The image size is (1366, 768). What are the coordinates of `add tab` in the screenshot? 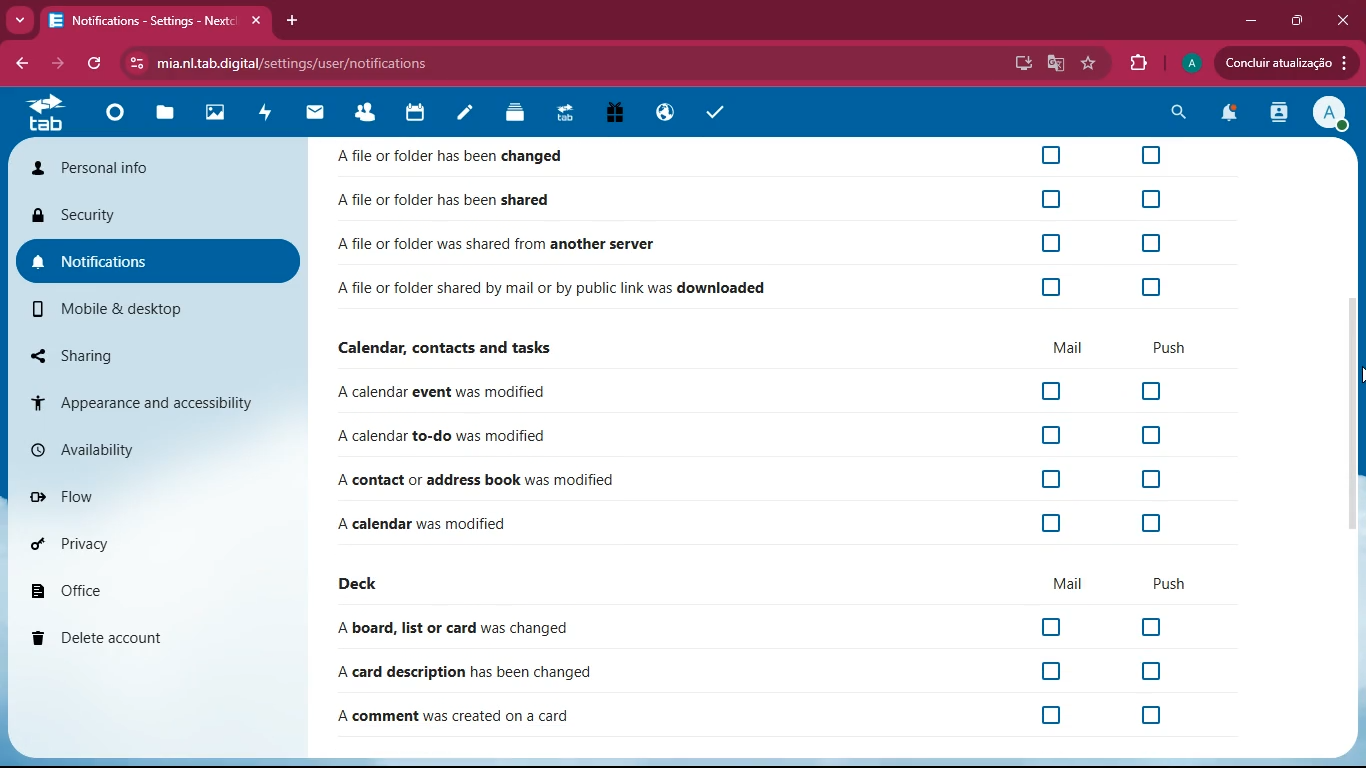 It's located at (289, 20).